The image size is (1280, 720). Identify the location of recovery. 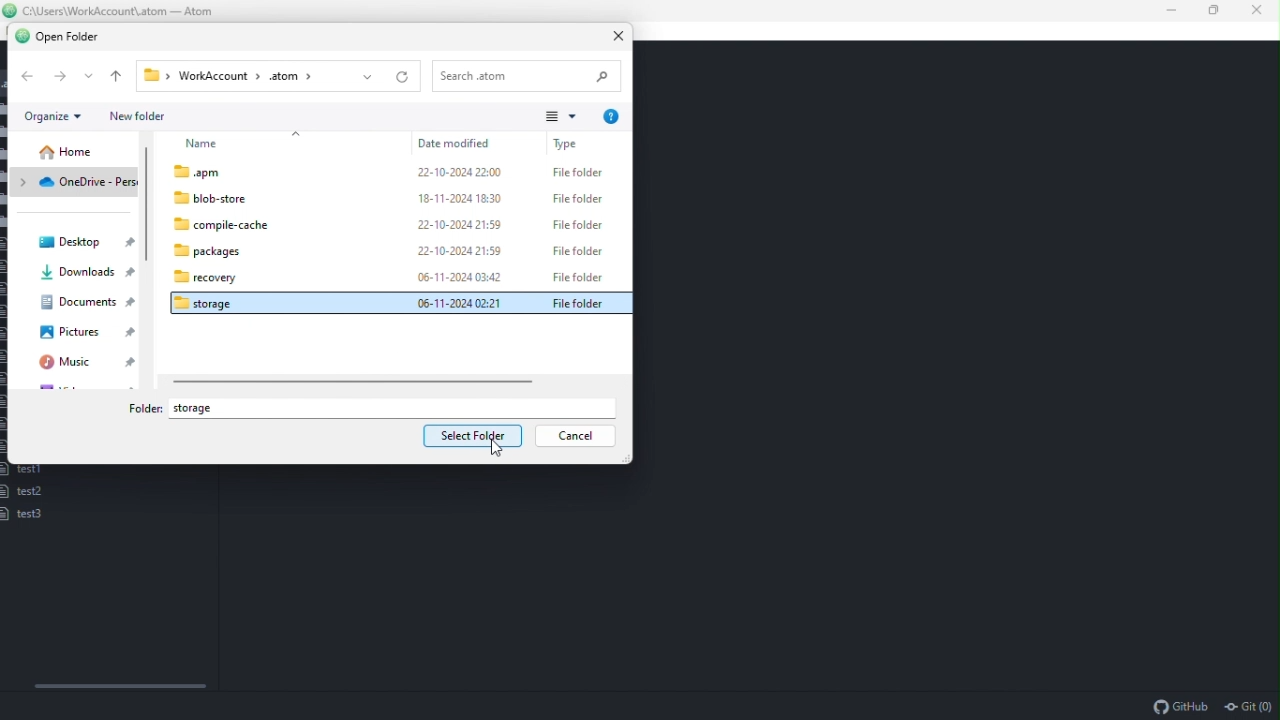
(390, 277).